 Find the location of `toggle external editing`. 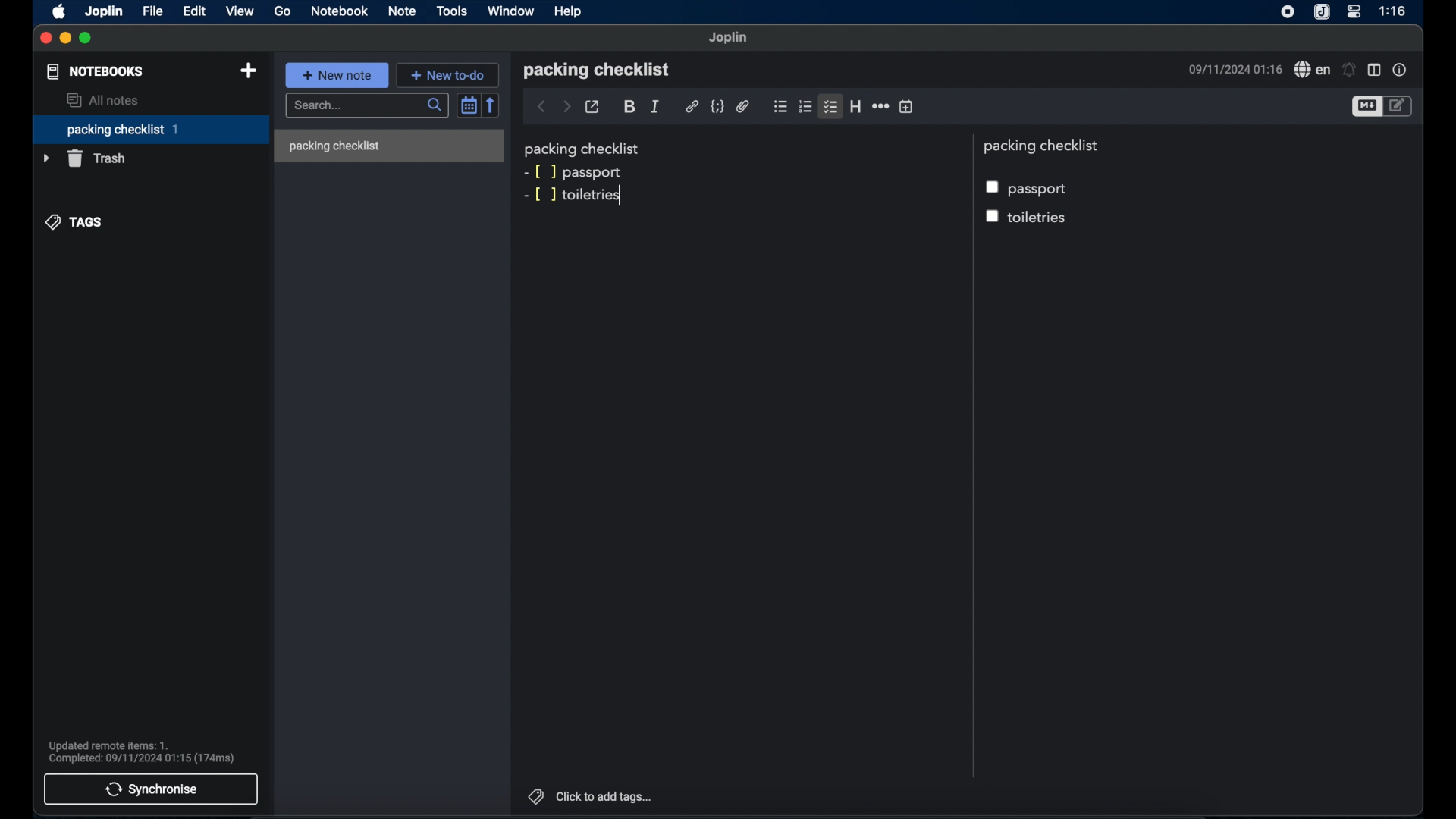

toggle external editing is located at coordinates (593, 107).